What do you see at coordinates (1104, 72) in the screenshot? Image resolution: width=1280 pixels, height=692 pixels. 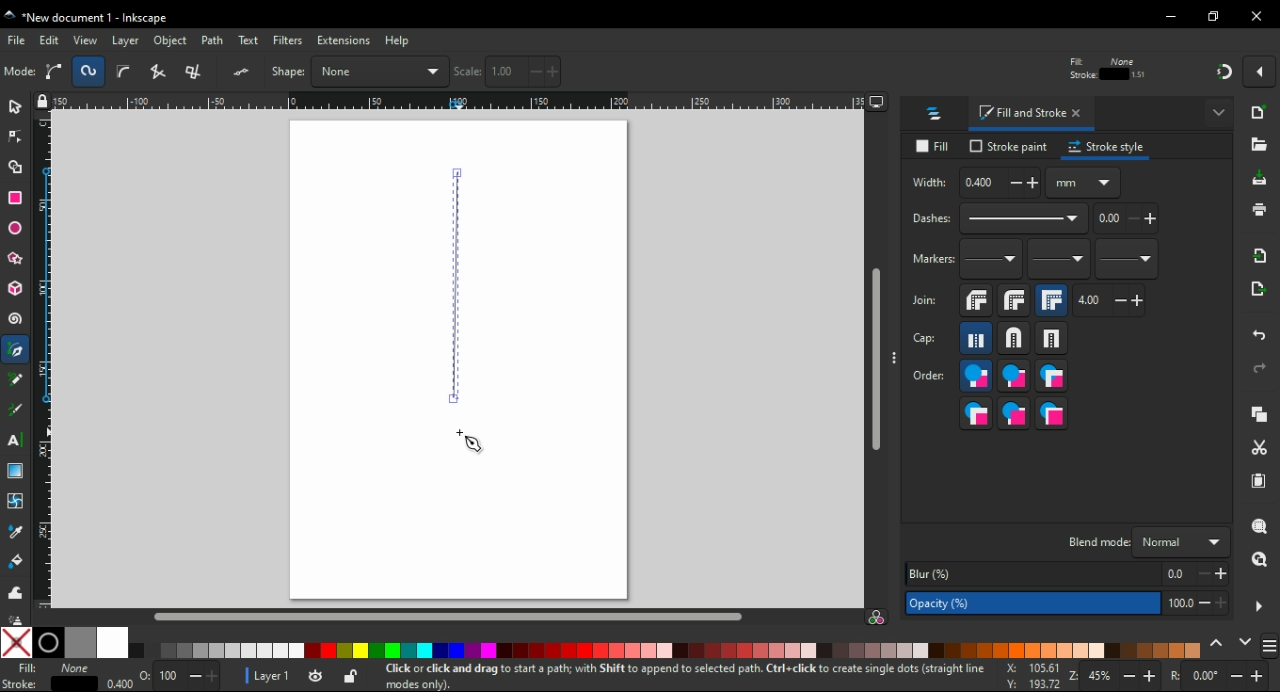 I see `when scaling rectangles, scale the radii of rounded corners` at bounding box center [1104, 72].